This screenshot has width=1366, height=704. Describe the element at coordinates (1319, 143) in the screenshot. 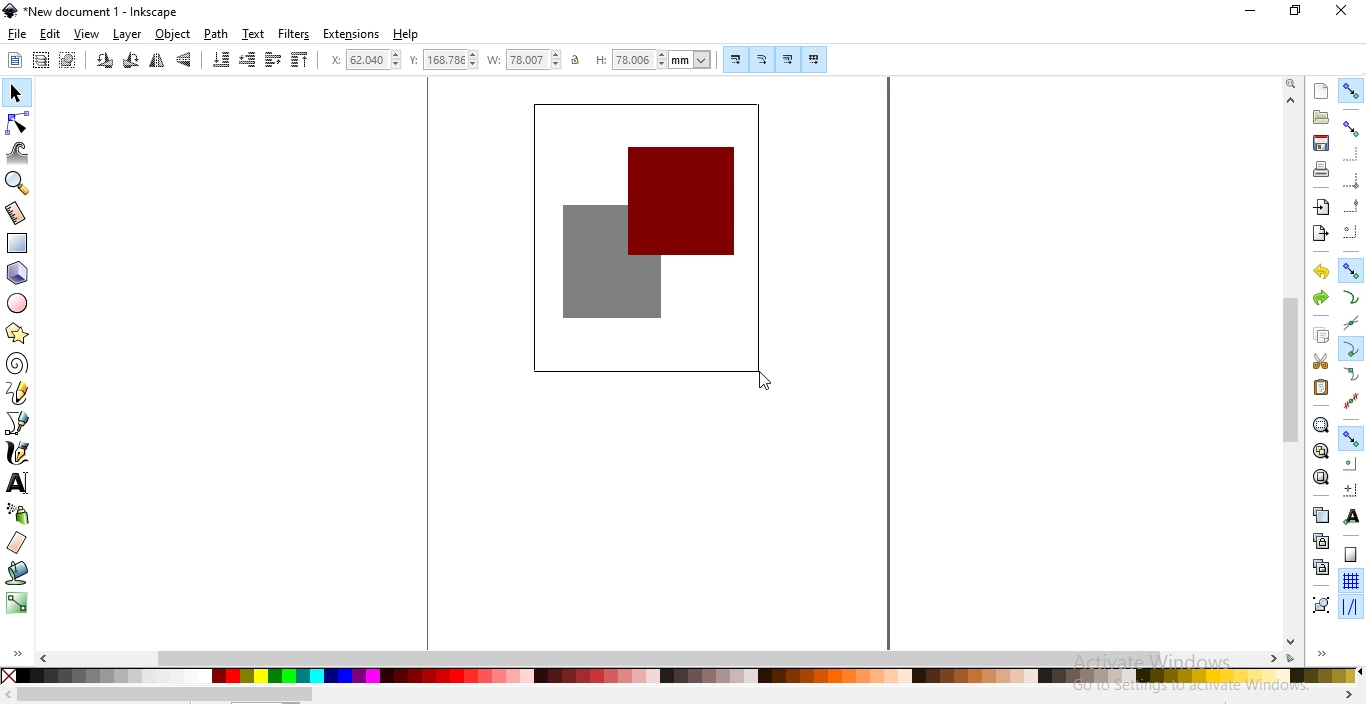

I see `save document` at that location.